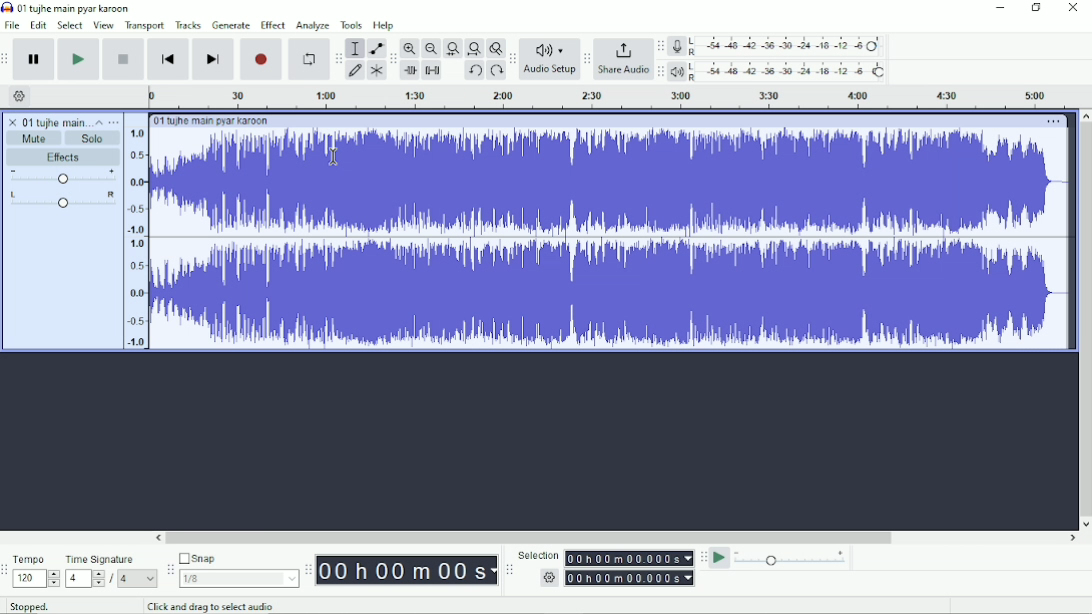 This screenshot has width=1092, height=614. I want to click on Help, so click(386, 26).